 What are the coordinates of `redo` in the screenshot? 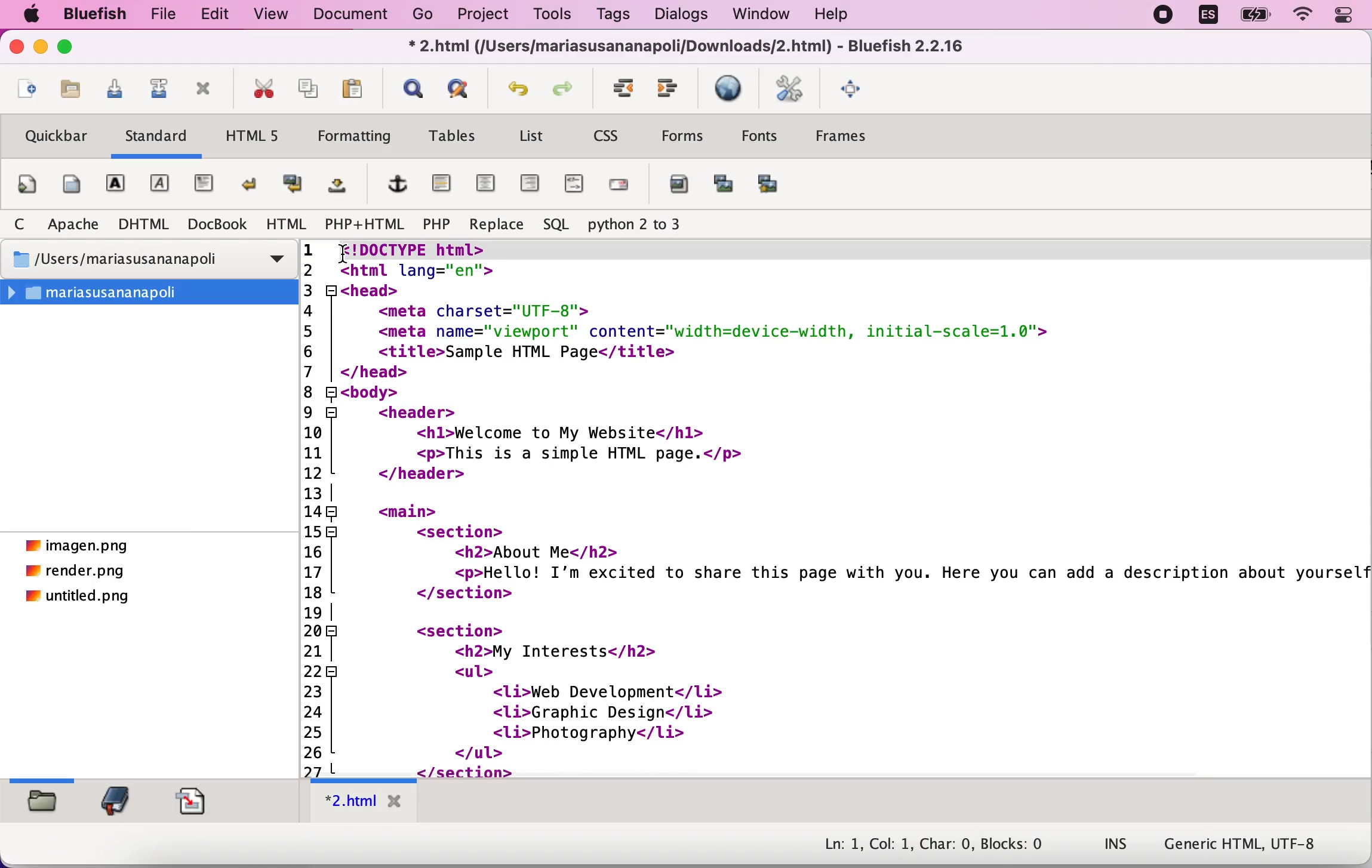 It's located at (568, 89).